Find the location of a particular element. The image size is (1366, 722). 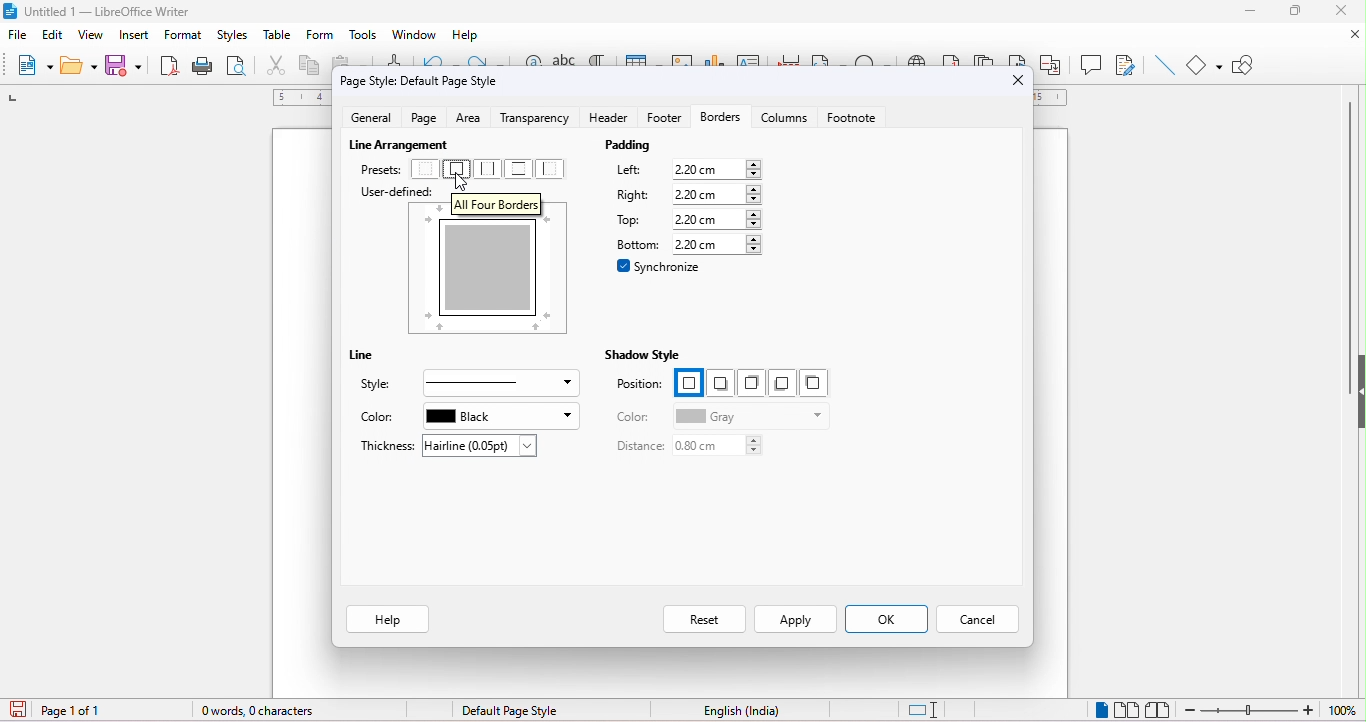

2.20 cm is located at coordinates (720, 194).